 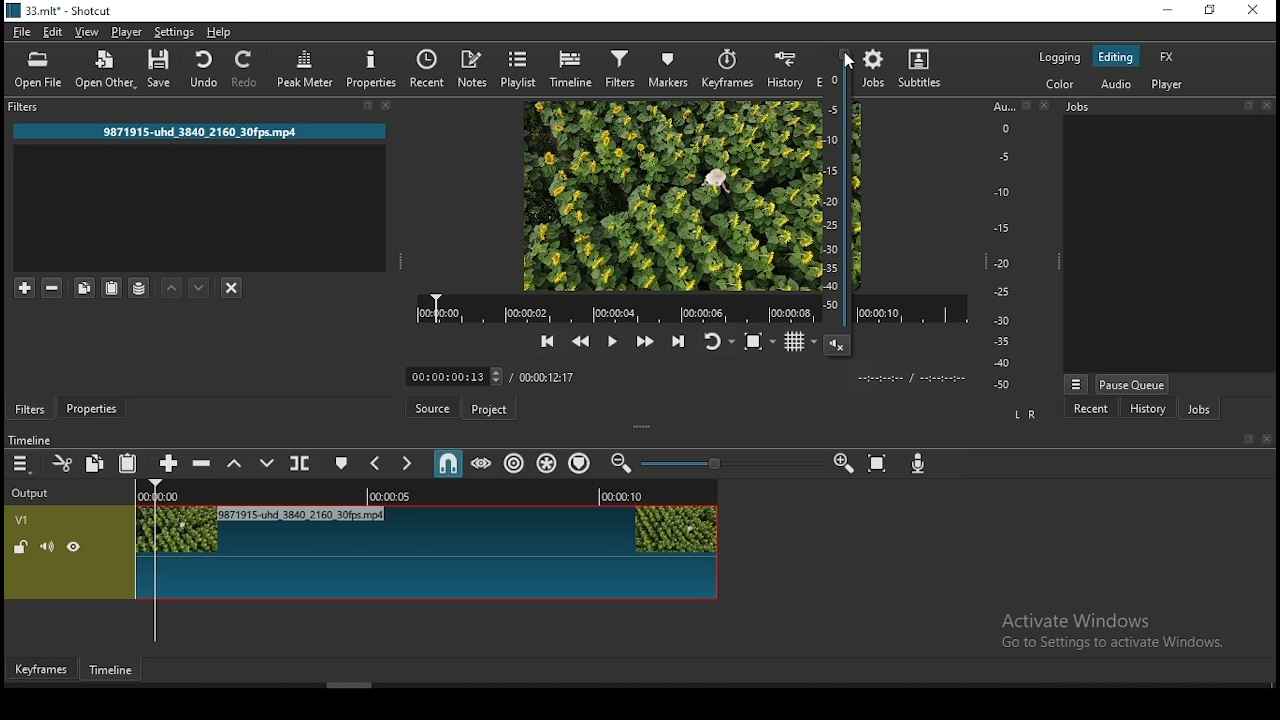 What do you see at coordinates (74, 547) in the screenshot?
I see `hide` at bounding box center [74, 547].